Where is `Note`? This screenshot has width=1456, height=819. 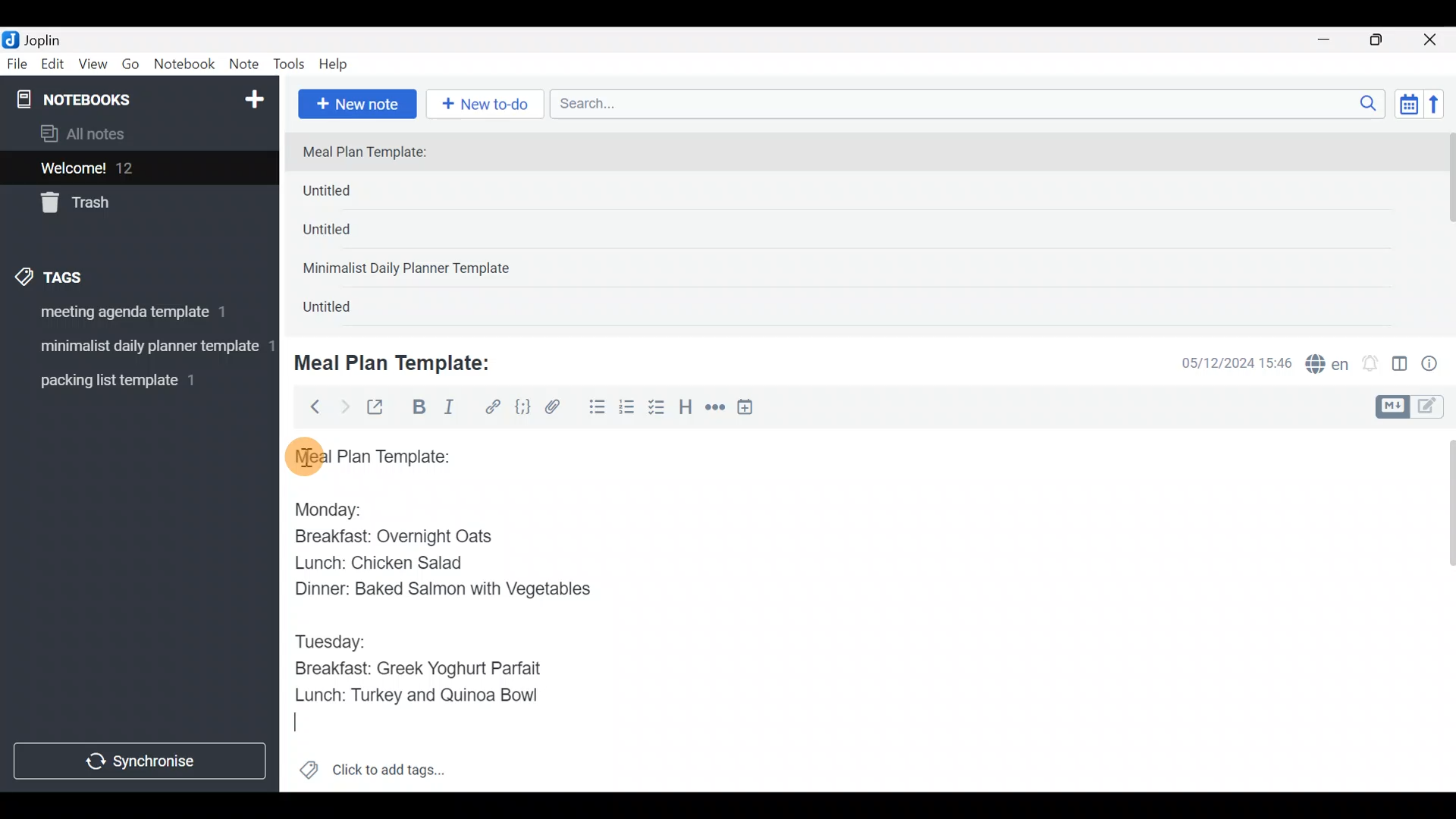
Note is located at coordinates (247, 65).